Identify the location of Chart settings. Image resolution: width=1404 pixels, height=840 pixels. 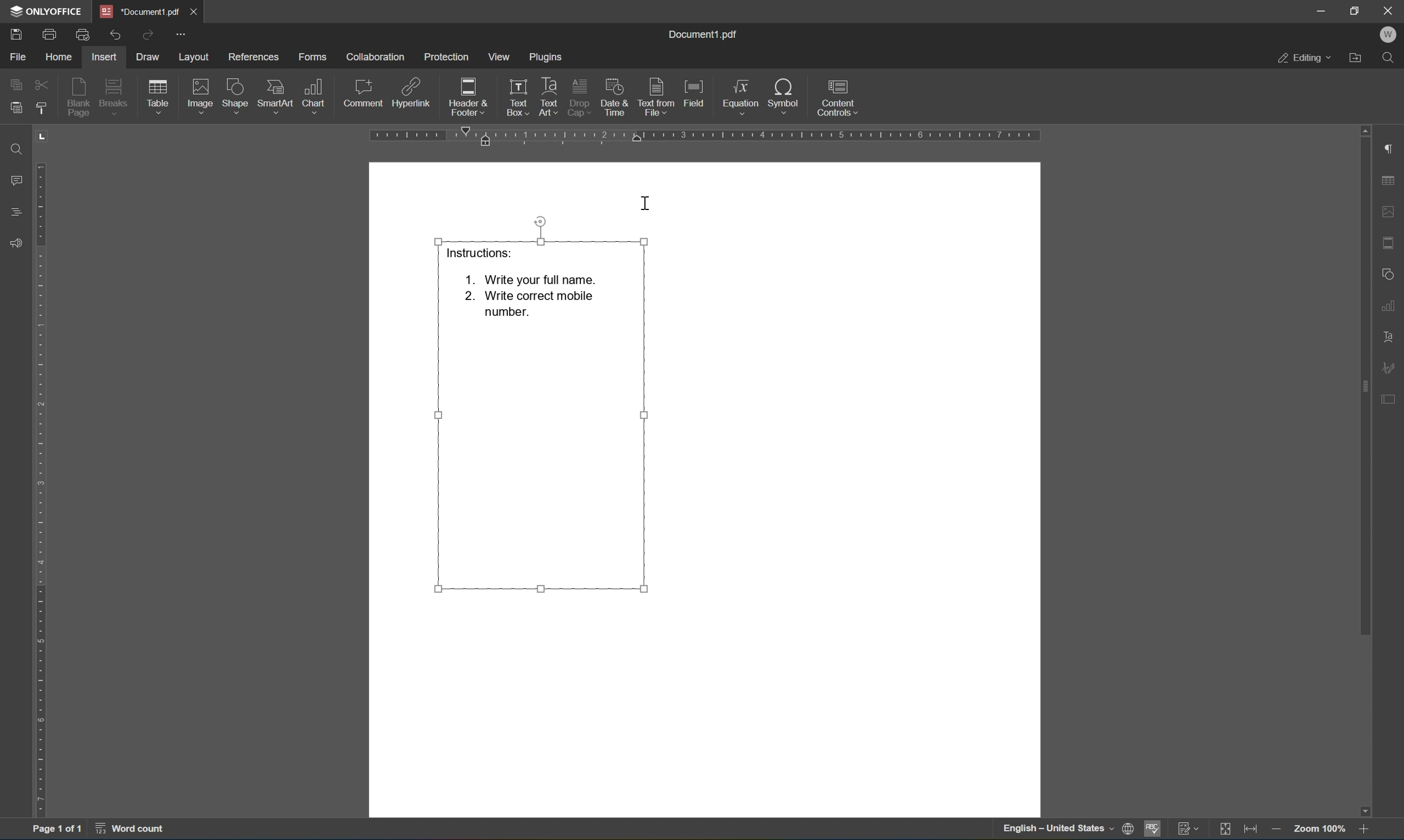
(1390, 304).